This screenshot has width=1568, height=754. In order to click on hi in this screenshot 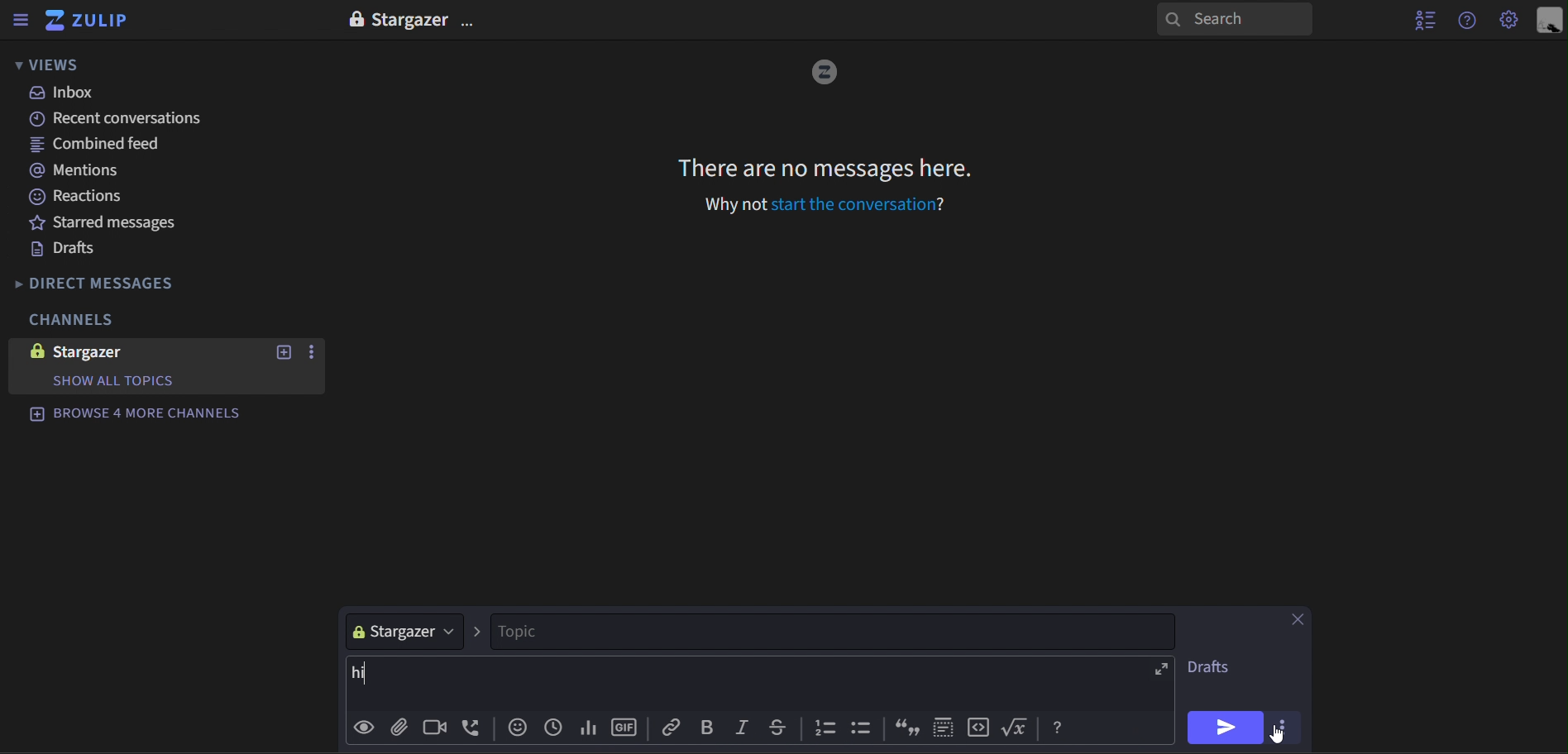, I will do `click(750, 683)`.